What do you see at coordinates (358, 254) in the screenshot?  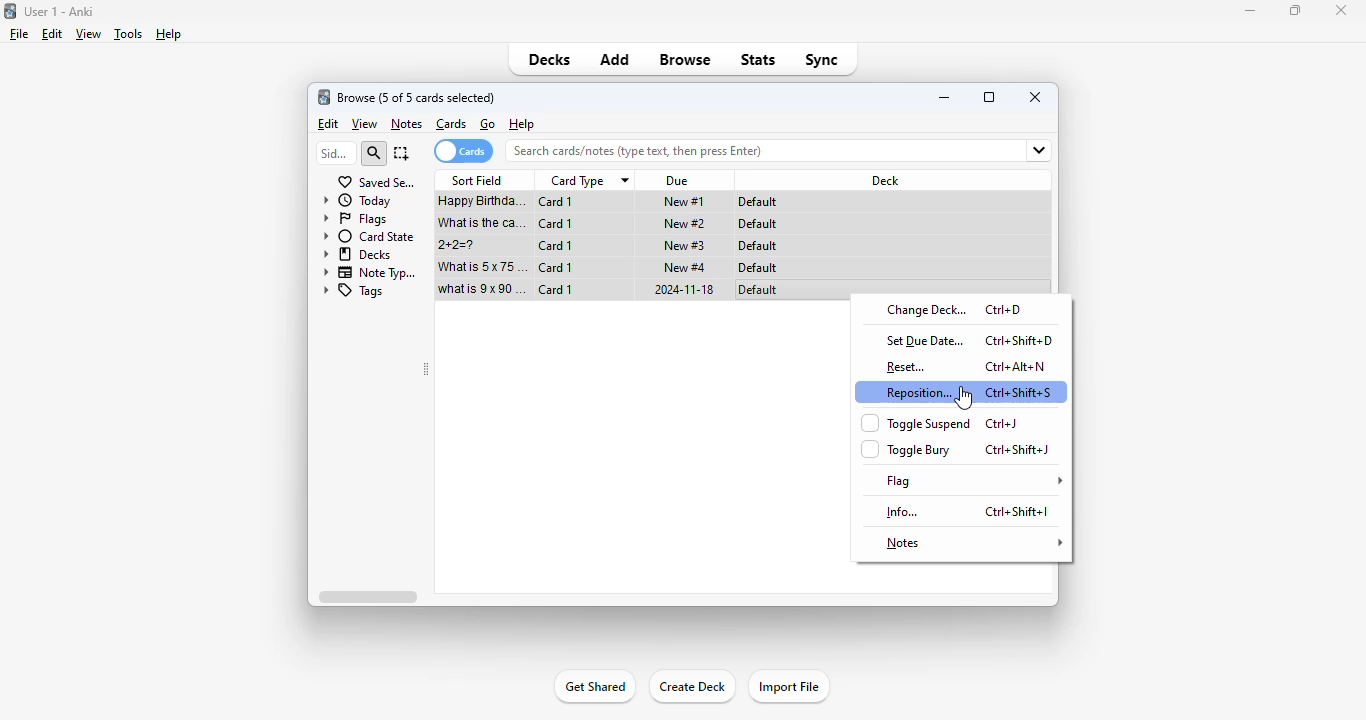 I see `decks` at bounding box center [358, 254].